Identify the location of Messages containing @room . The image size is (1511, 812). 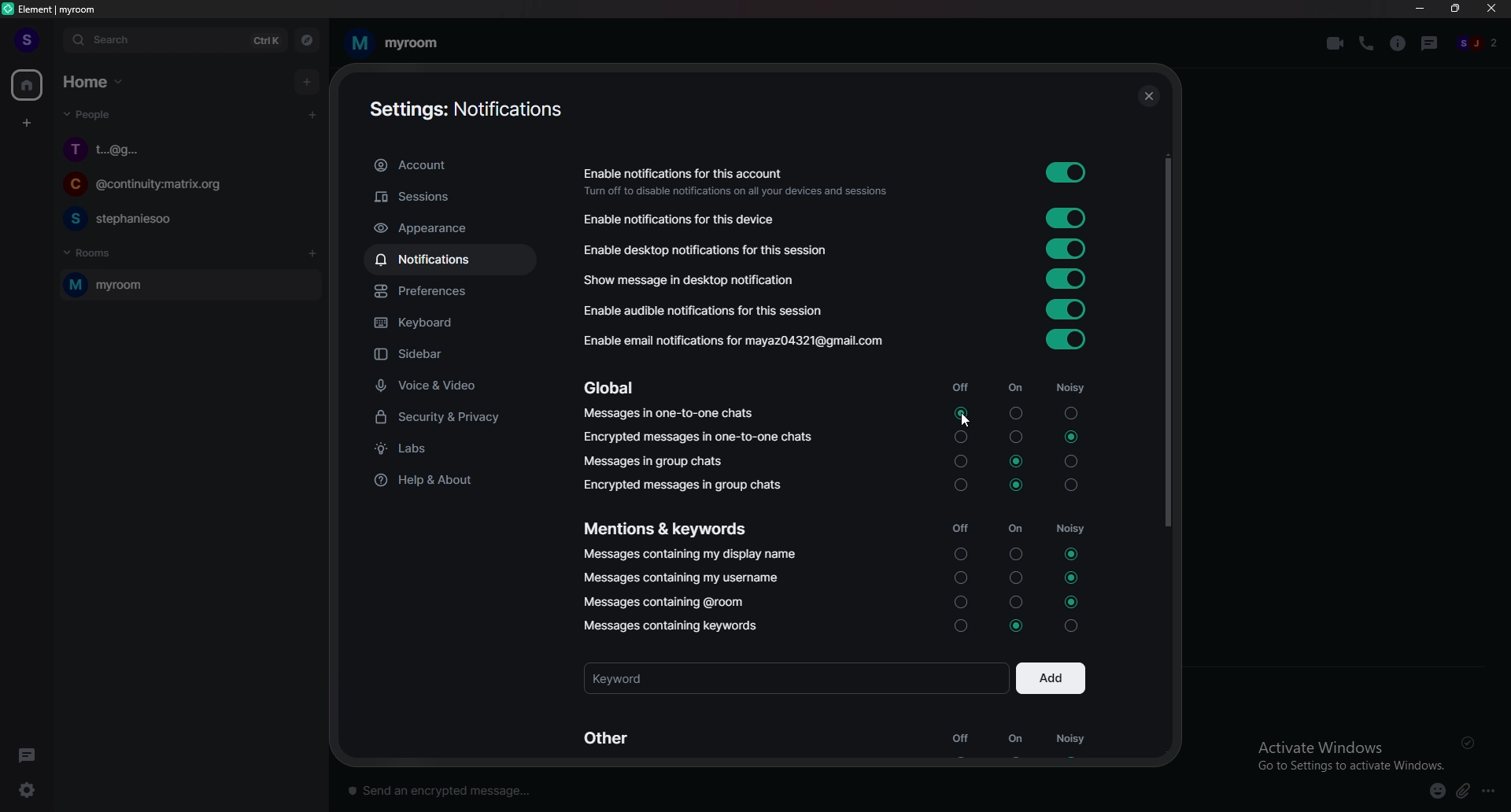
(662, 602).